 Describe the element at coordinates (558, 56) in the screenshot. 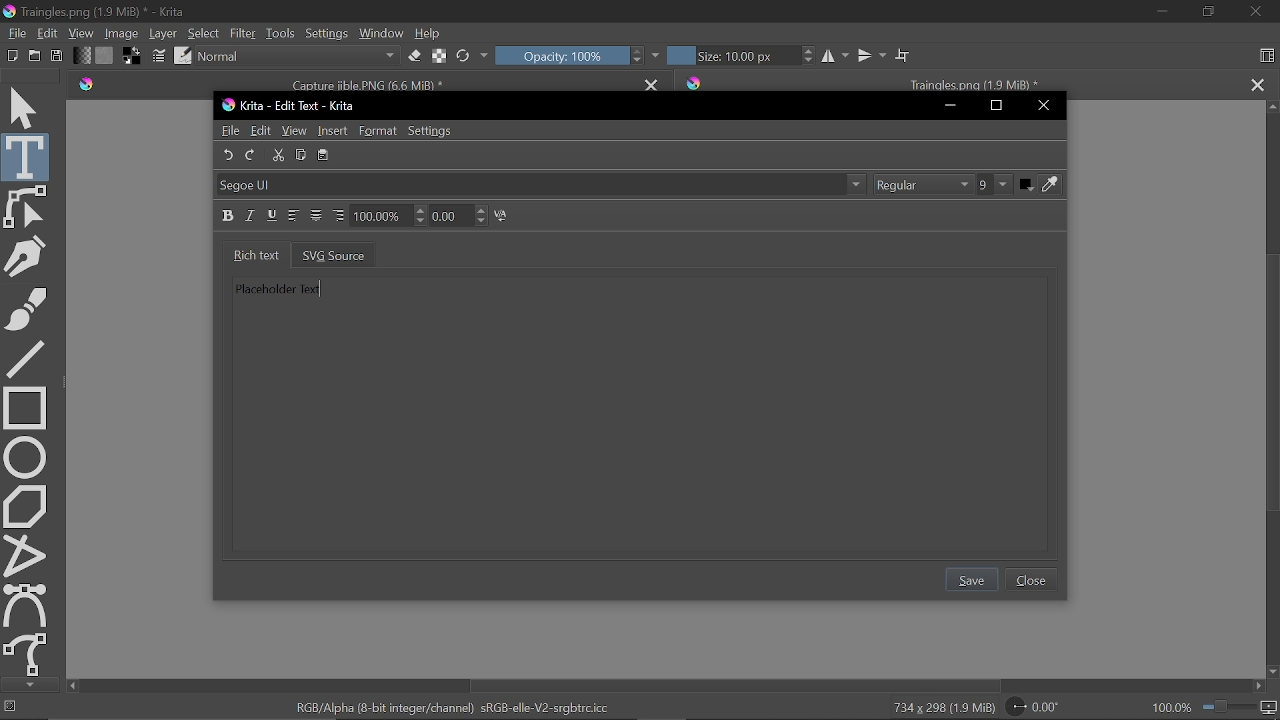

I see `Opacity: 100%` at that location.